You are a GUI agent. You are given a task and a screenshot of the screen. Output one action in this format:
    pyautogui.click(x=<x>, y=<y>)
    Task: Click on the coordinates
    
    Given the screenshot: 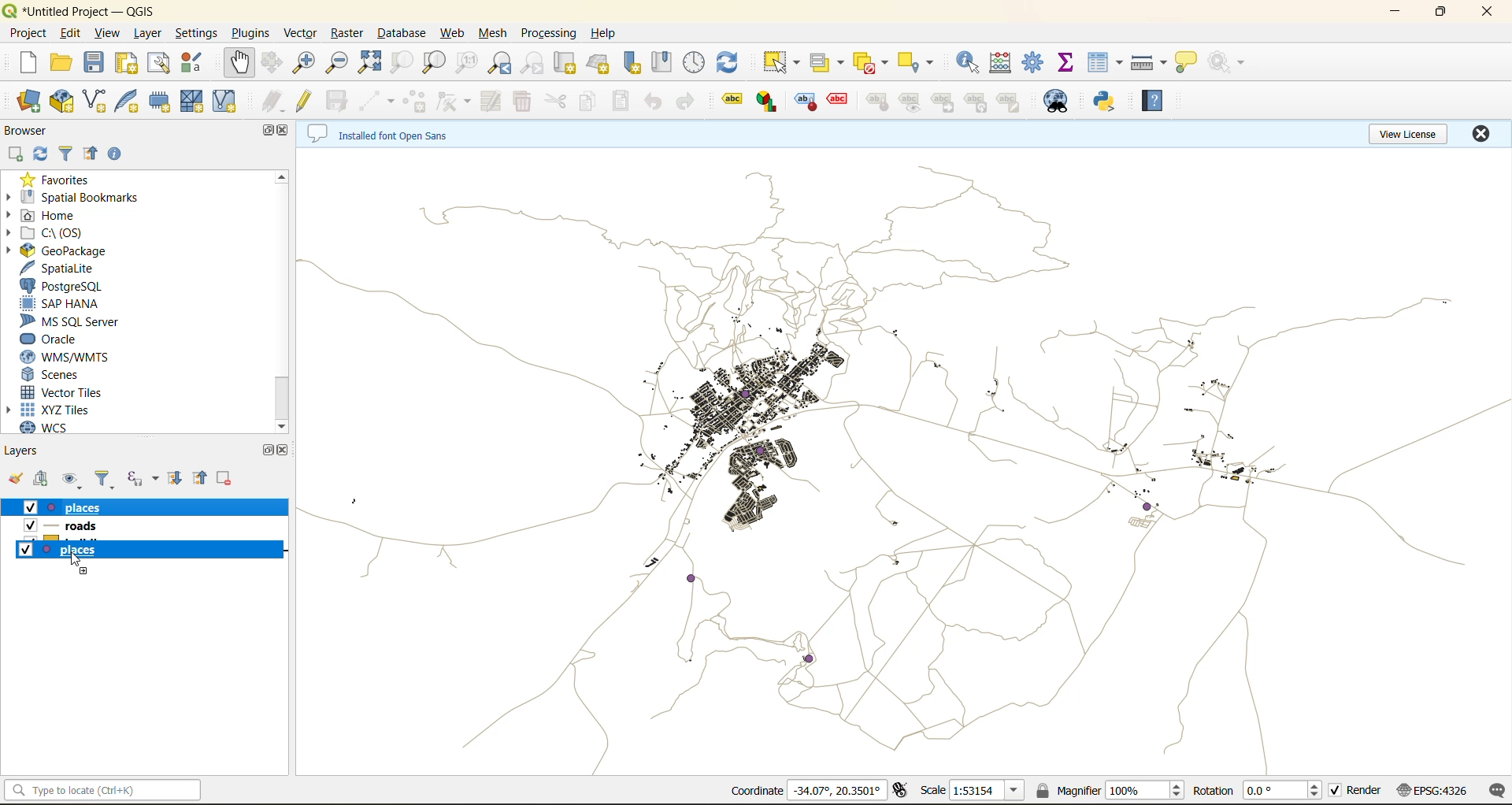 What is the action you would take?
    pyautogui.click(x=811, y=789)
    